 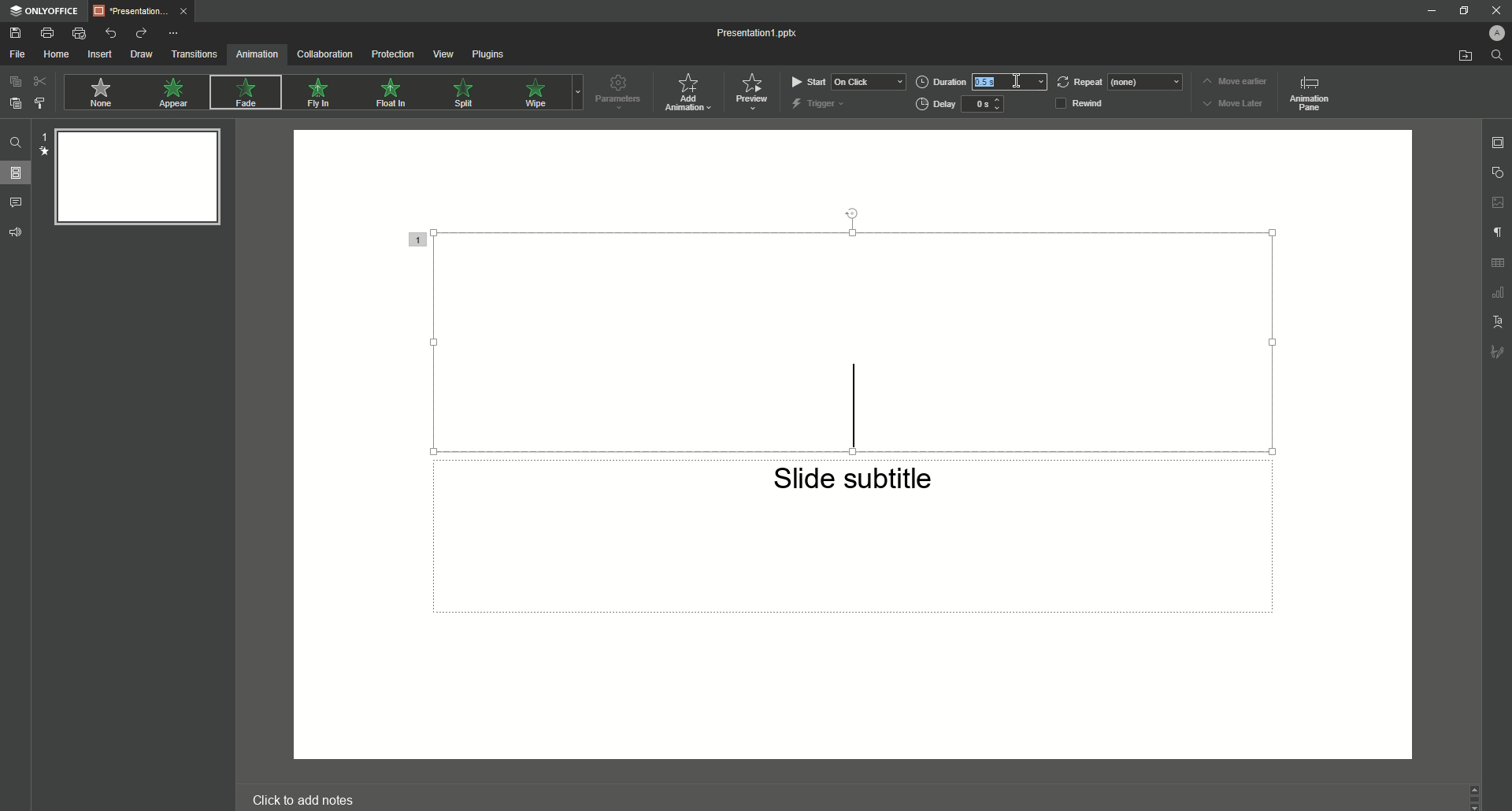 I want to click on Profile, so click(x=1495, y=33).